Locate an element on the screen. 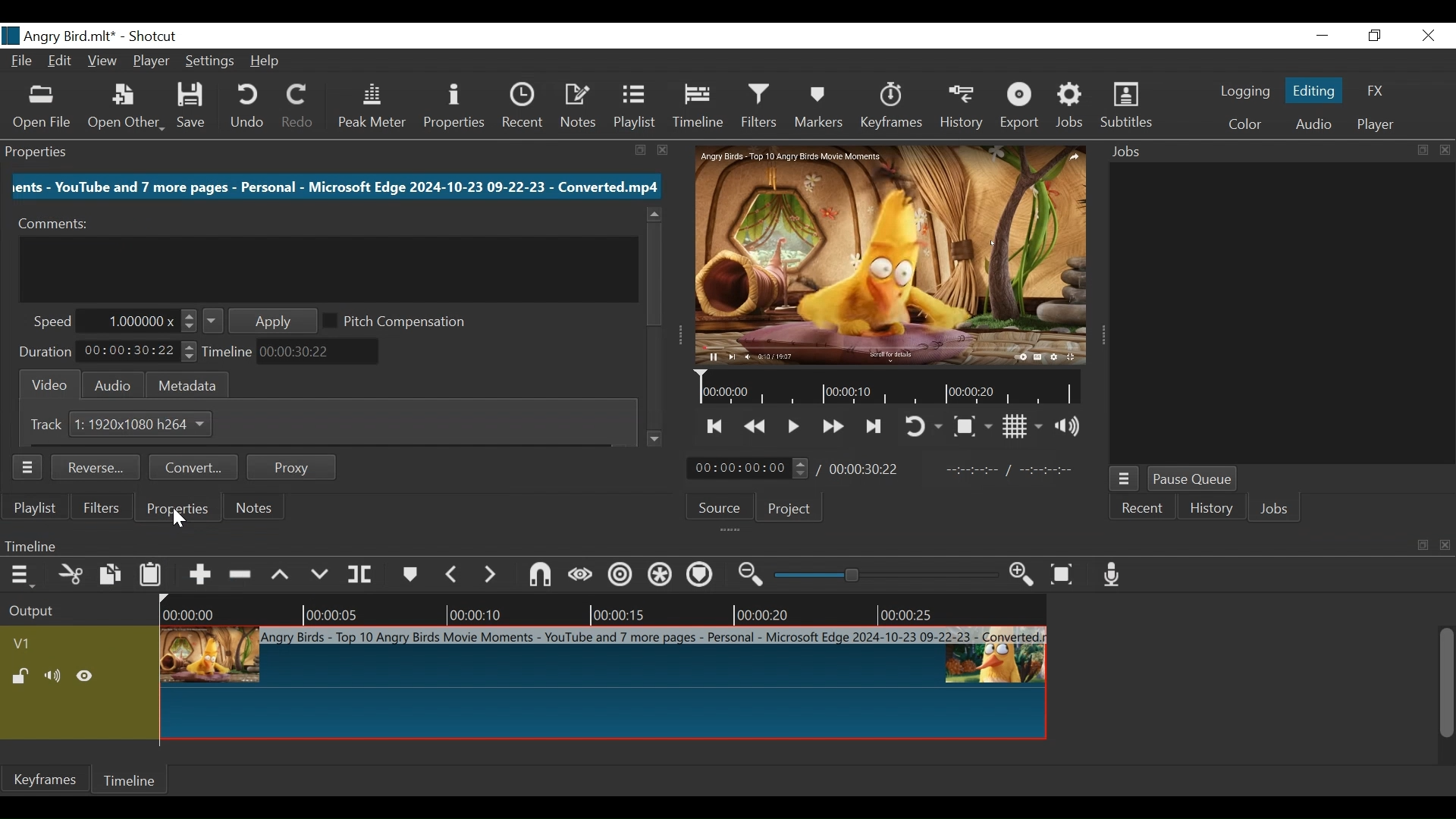 The height and width of the screenshot is (819, 1456). Cut is located at coordinates (71, 576).